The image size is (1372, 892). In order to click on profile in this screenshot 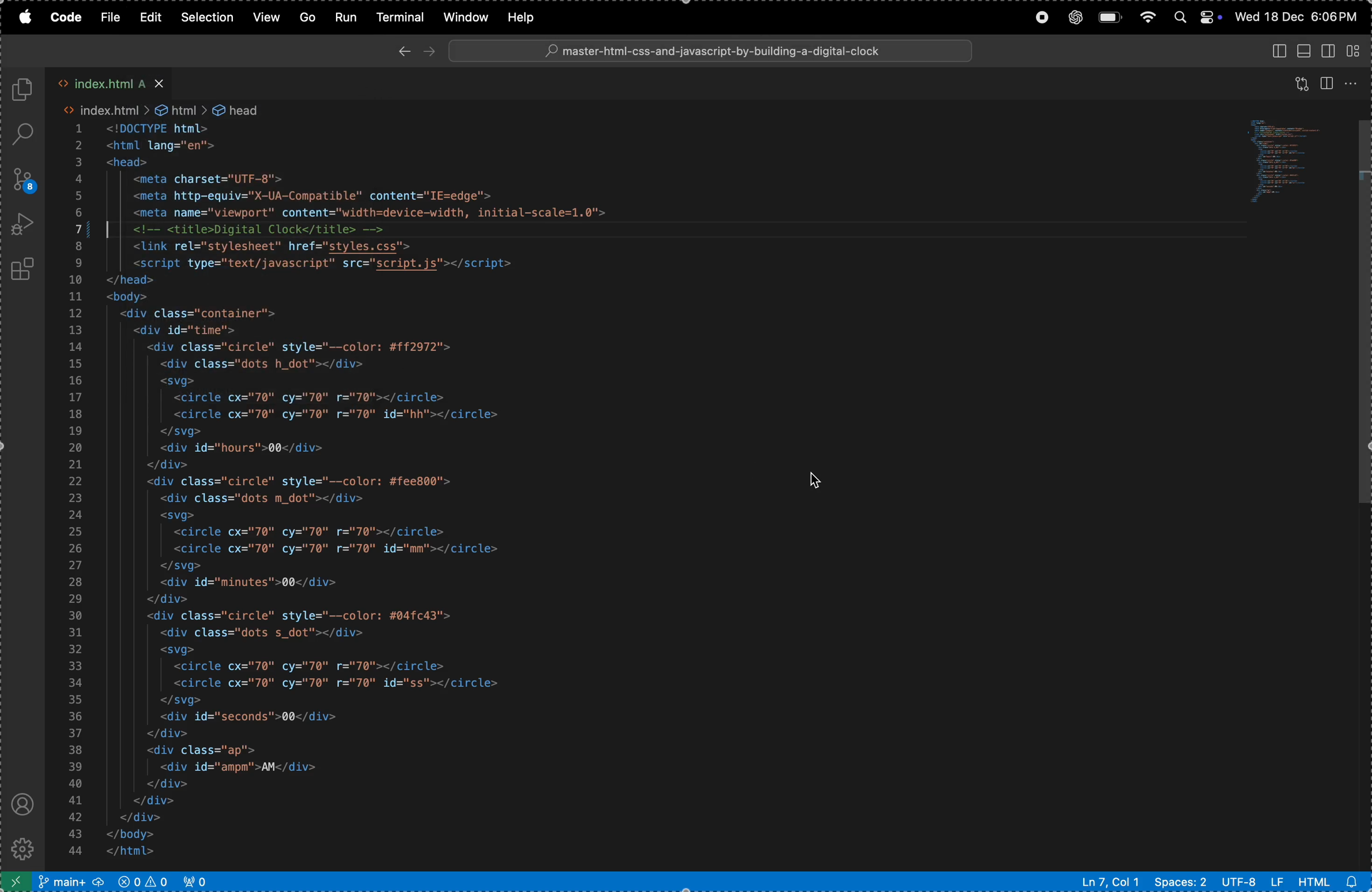, I will do `click(22, 804)`.